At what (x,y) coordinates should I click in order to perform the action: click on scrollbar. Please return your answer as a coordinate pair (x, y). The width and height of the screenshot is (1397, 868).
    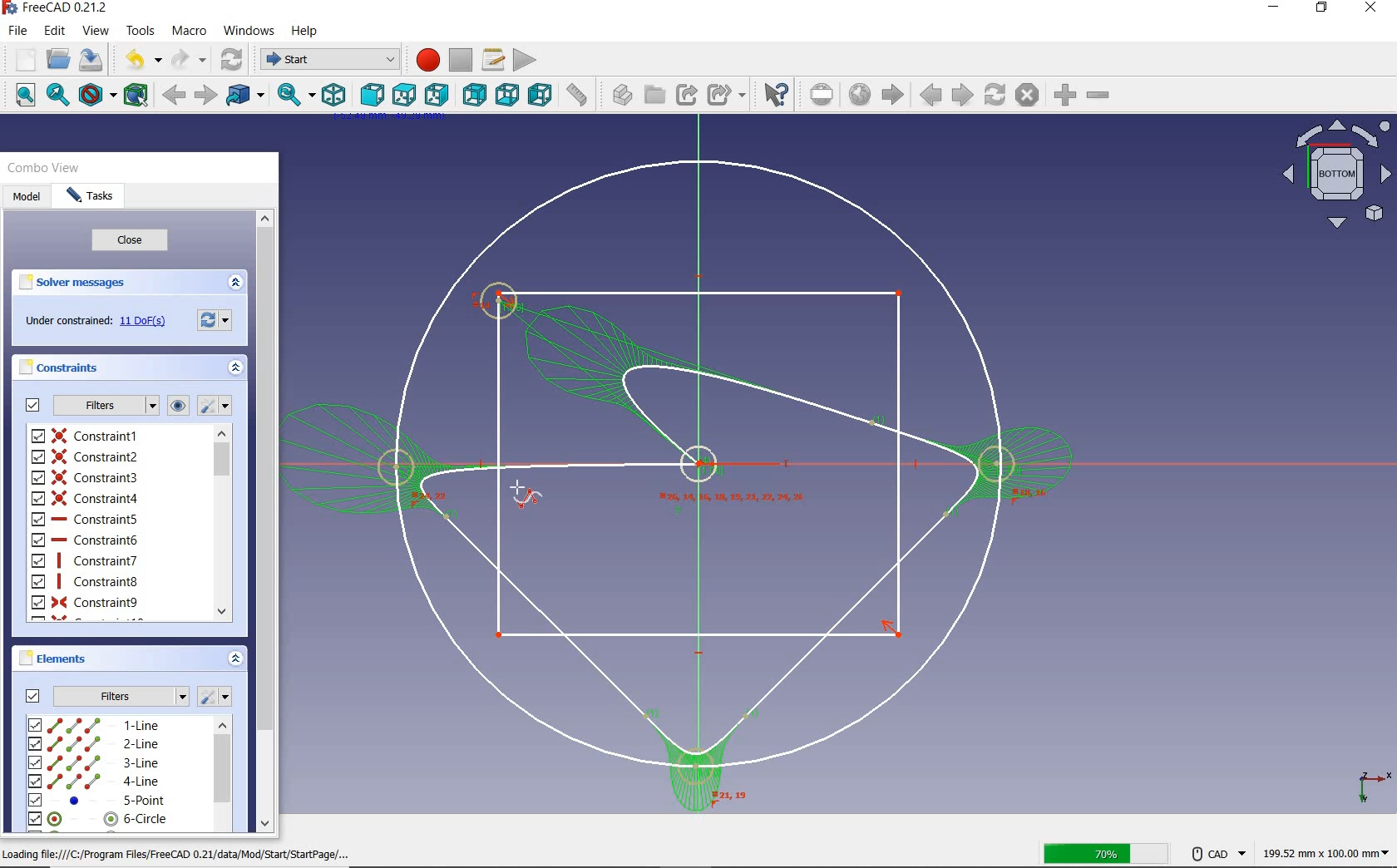
    Looking at the image, I should click on (222, 522).